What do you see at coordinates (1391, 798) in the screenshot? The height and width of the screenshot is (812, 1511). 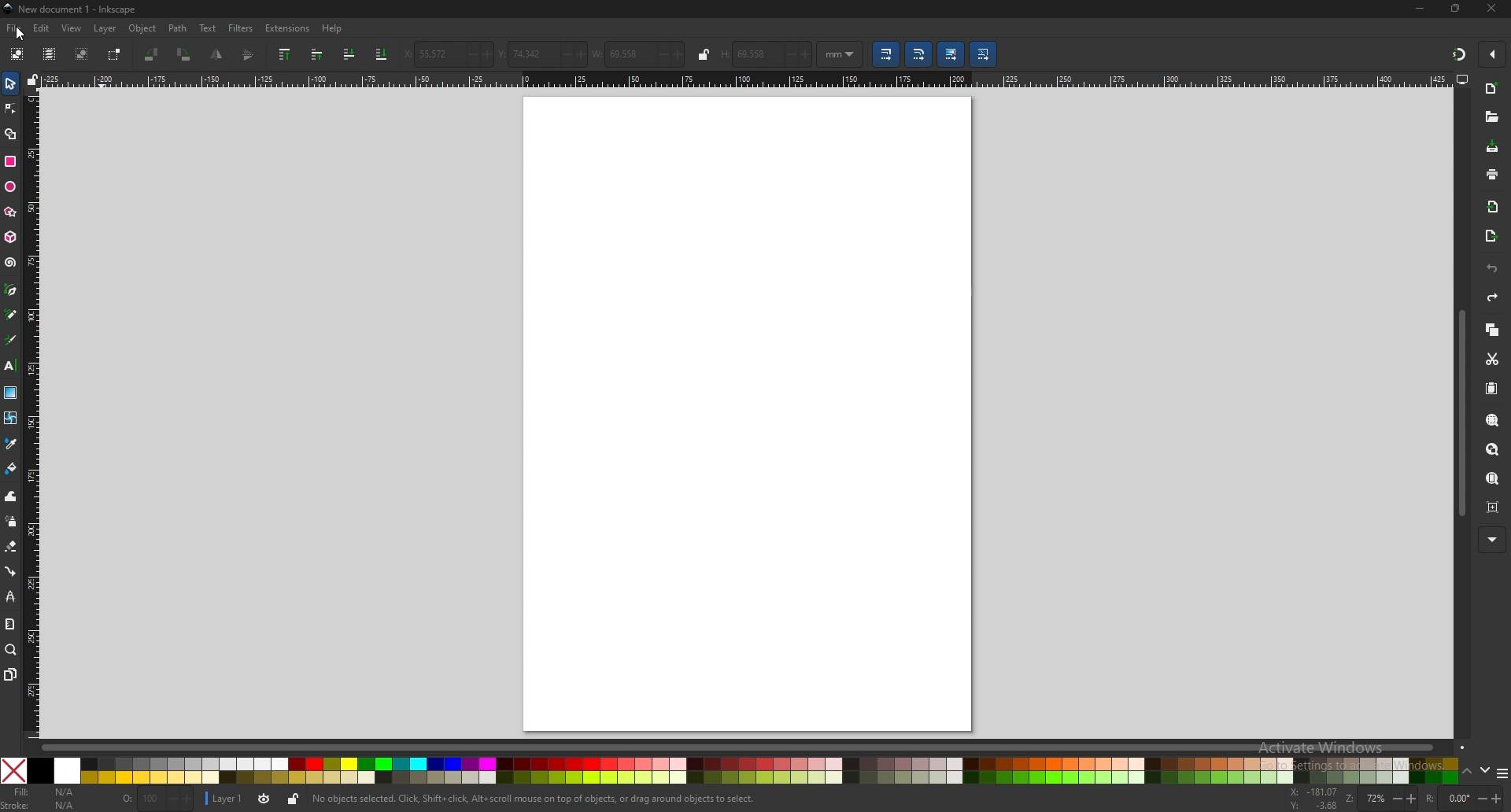 I see `-` at bounding box center [1391, 798].